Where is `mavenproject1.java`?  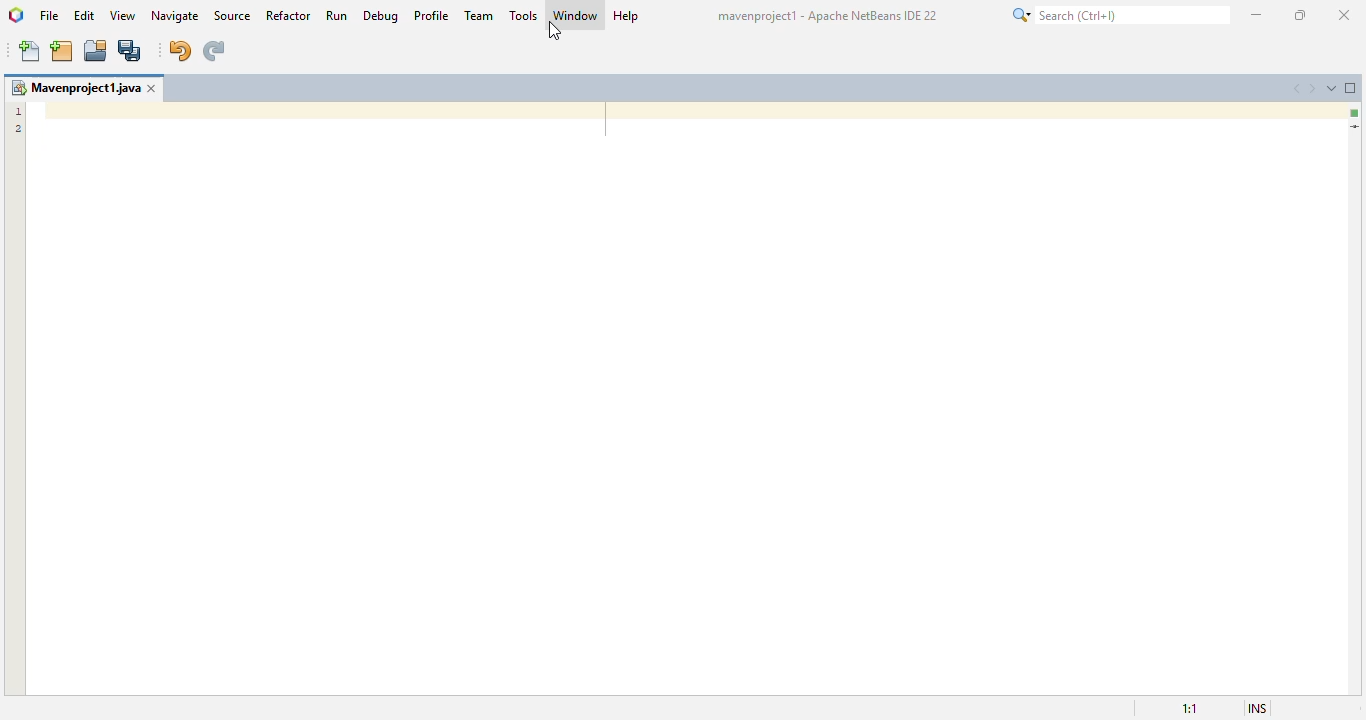
mavenproject1.java is located at coordinates (75, 87).